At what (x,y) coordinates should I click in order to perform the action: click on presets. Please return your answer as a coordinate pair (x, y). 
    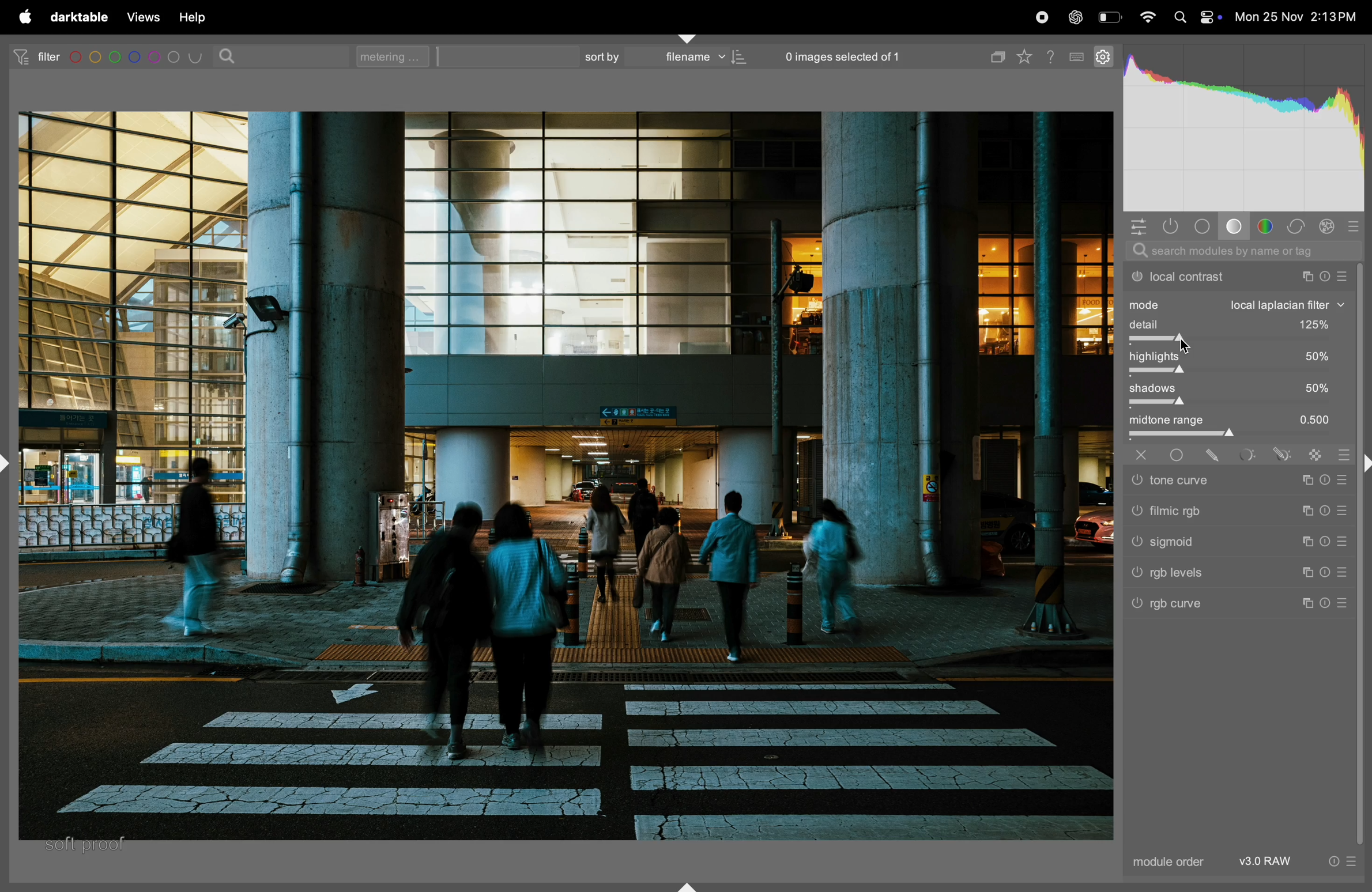
    Looking at the image, I should click on (1355, 225).